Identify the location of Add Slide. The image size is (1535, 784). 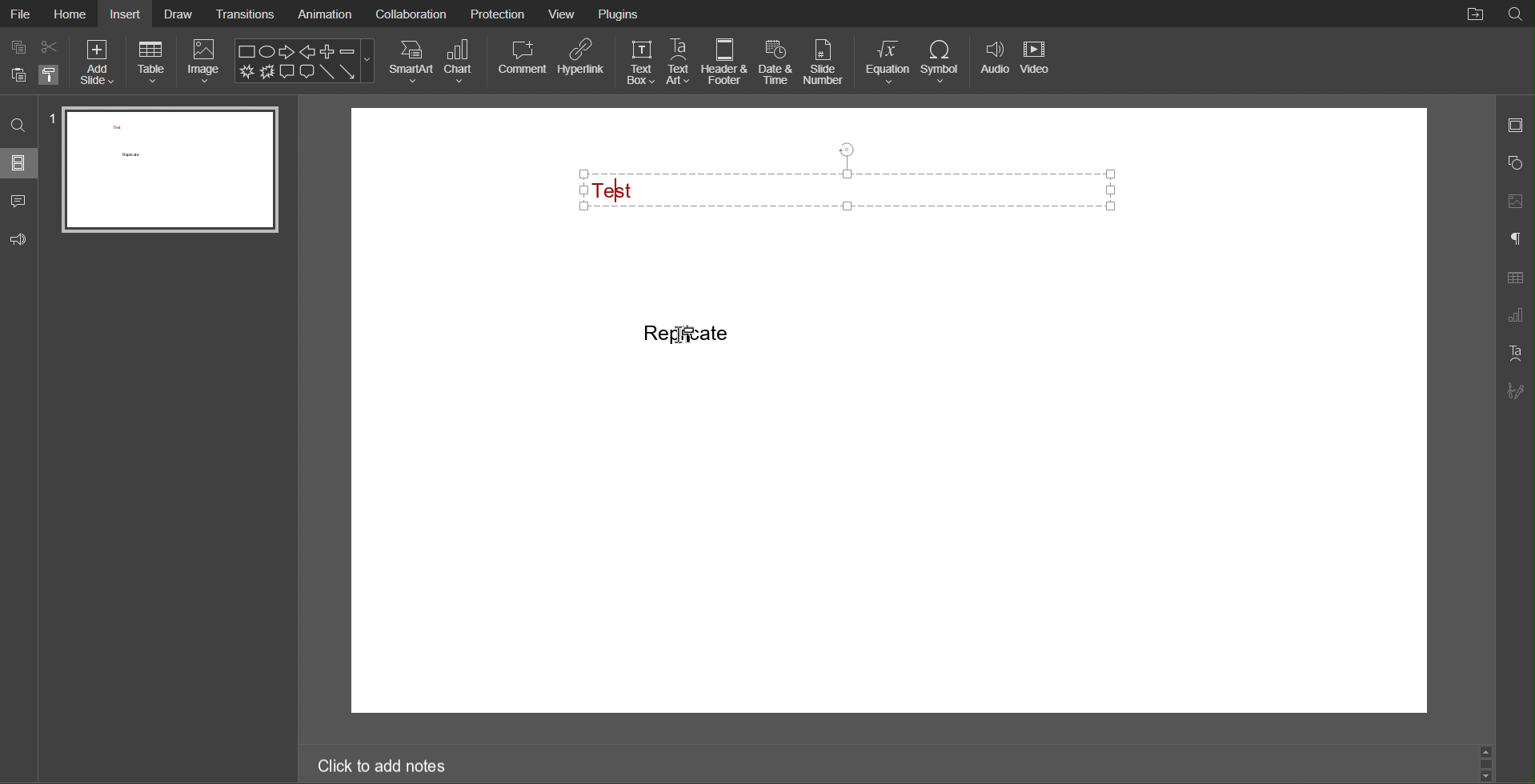
(98, 62).